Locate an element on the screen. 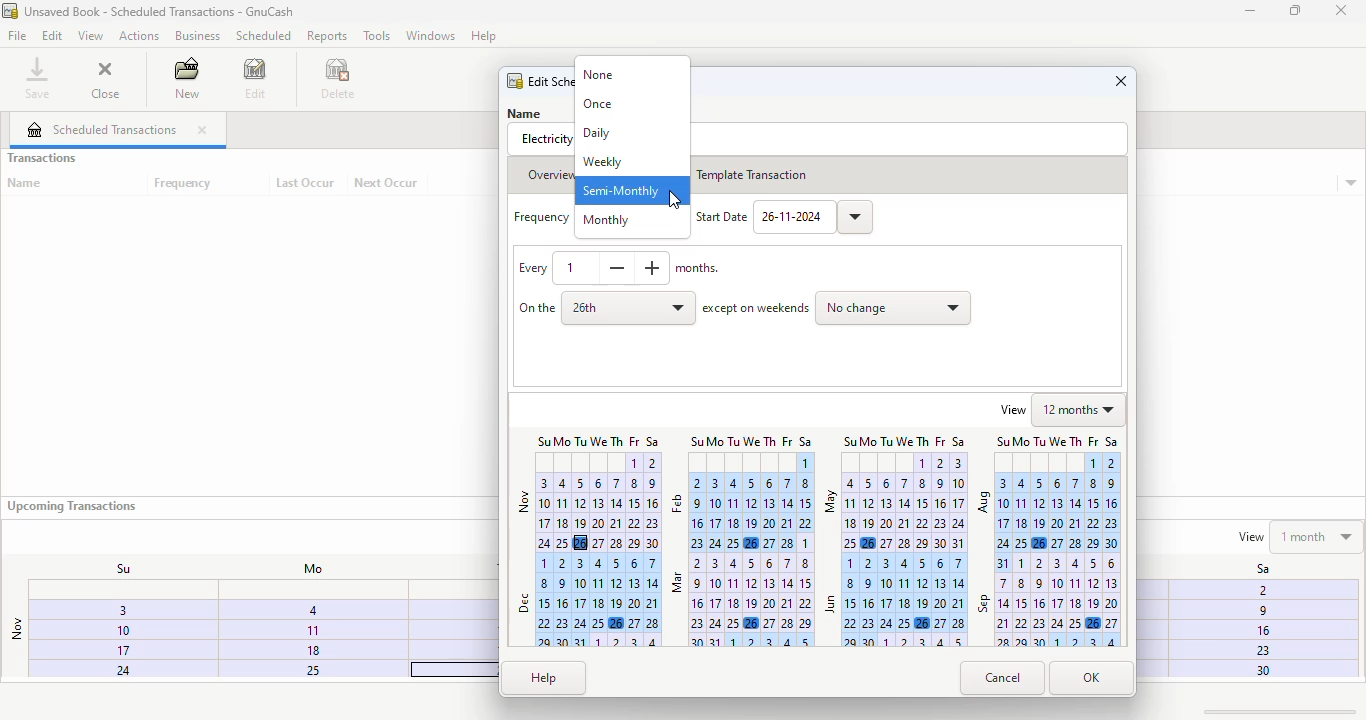  scroll is located at coordinates (1277, 711).